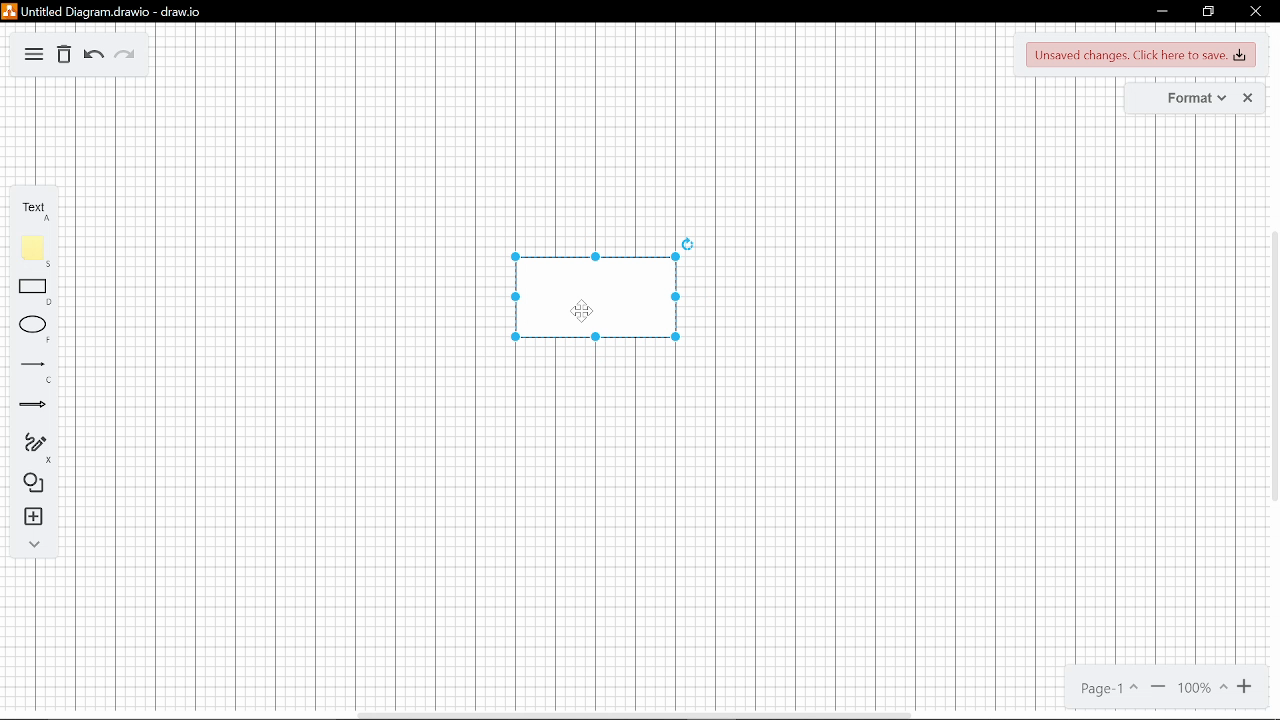  I want to click on draw, so click(34, 444).